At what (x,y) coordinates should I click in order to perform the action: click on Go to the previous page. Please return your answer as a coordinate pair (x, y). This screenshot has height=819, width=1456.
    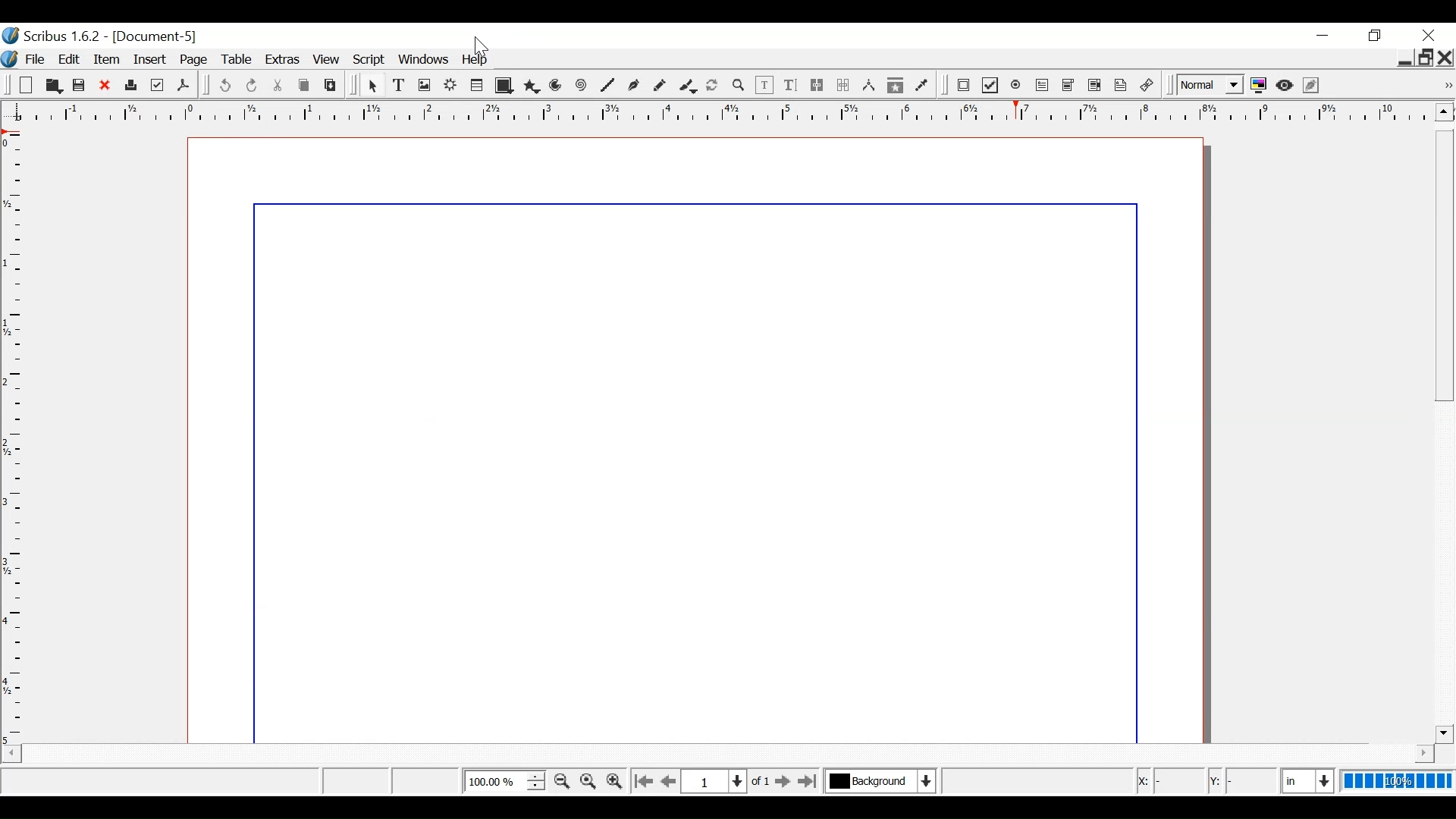
    Looking at the image, I should click on (670, 781).